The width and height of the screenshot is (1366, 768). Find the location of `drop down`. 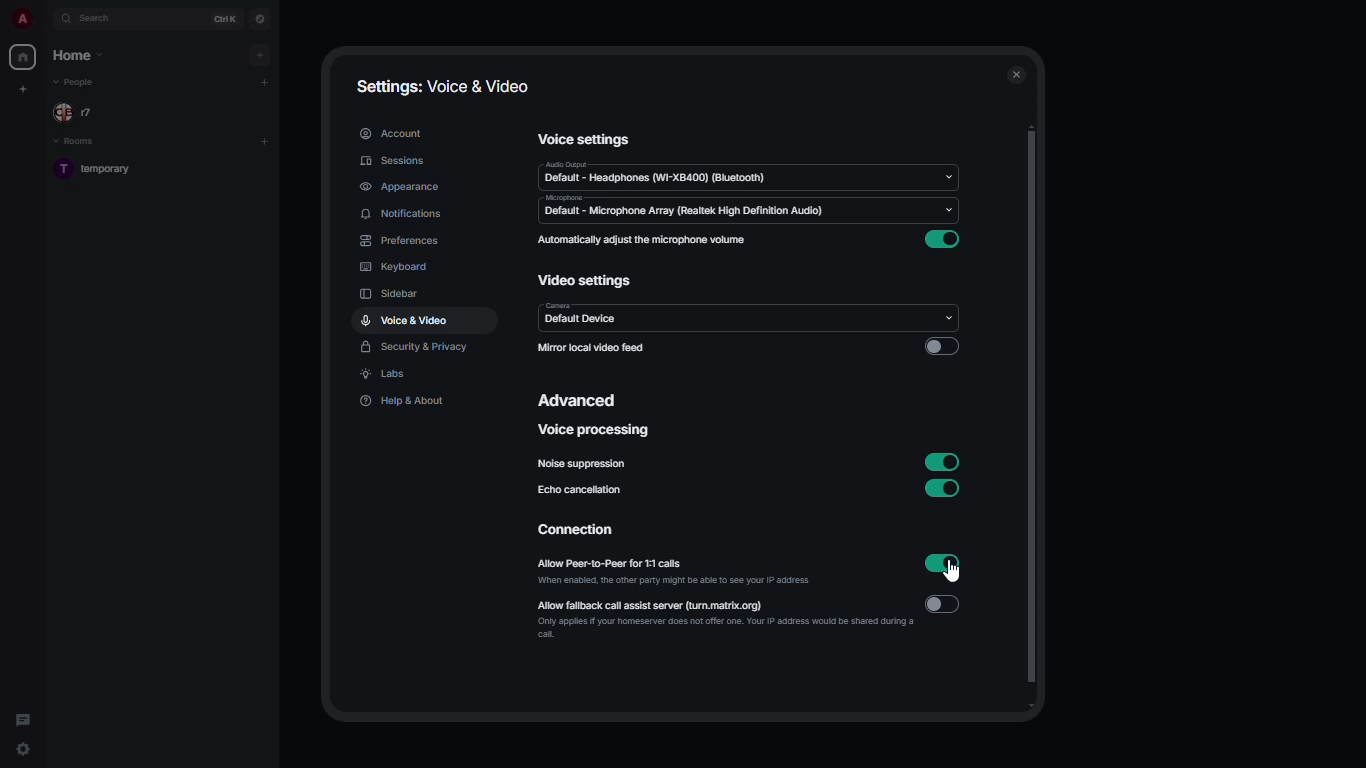

drop down is located at coordinates (945, 315).